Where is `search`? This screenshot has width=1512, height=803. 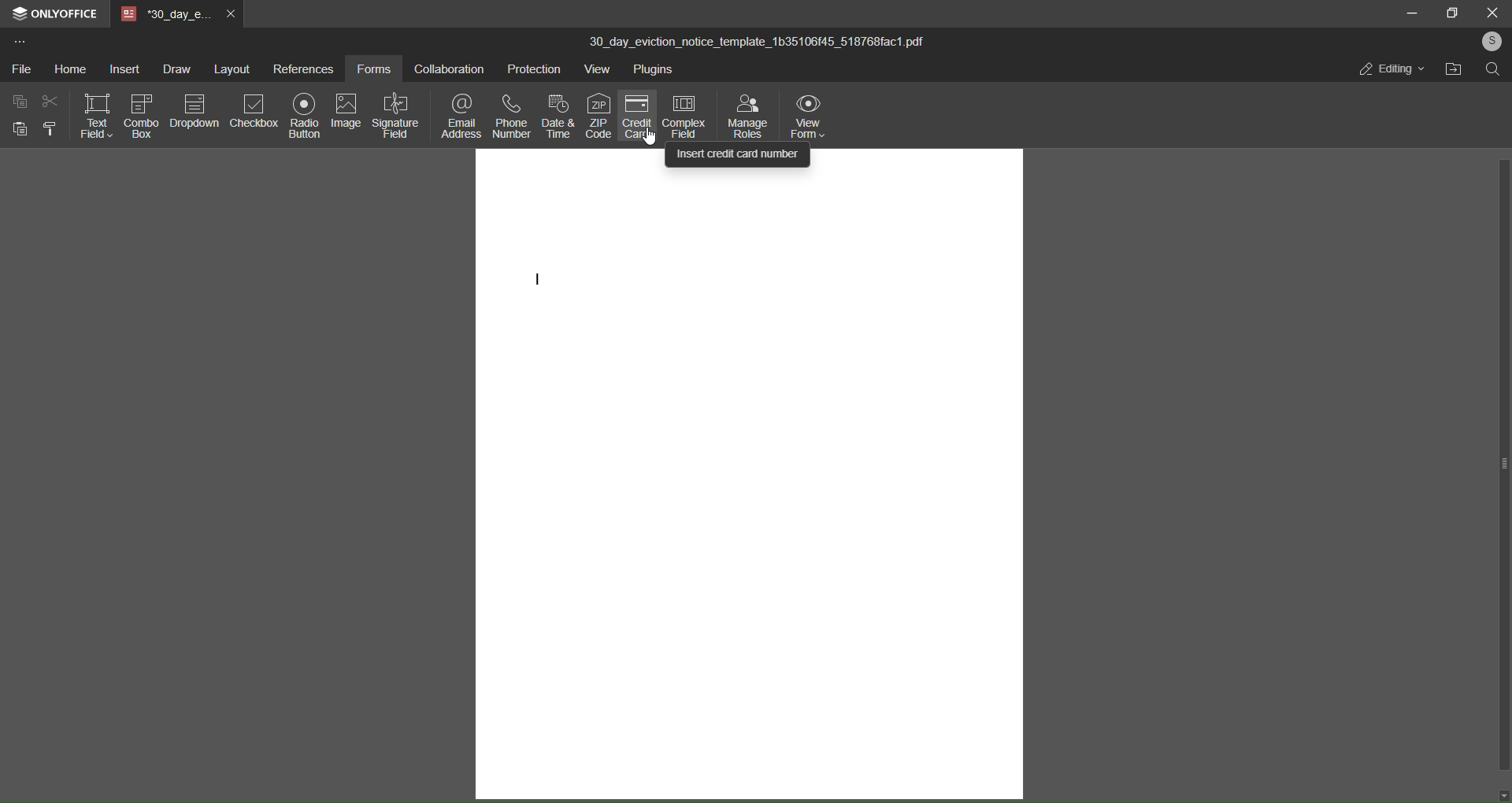
search is located at coordinates (1493, 70).